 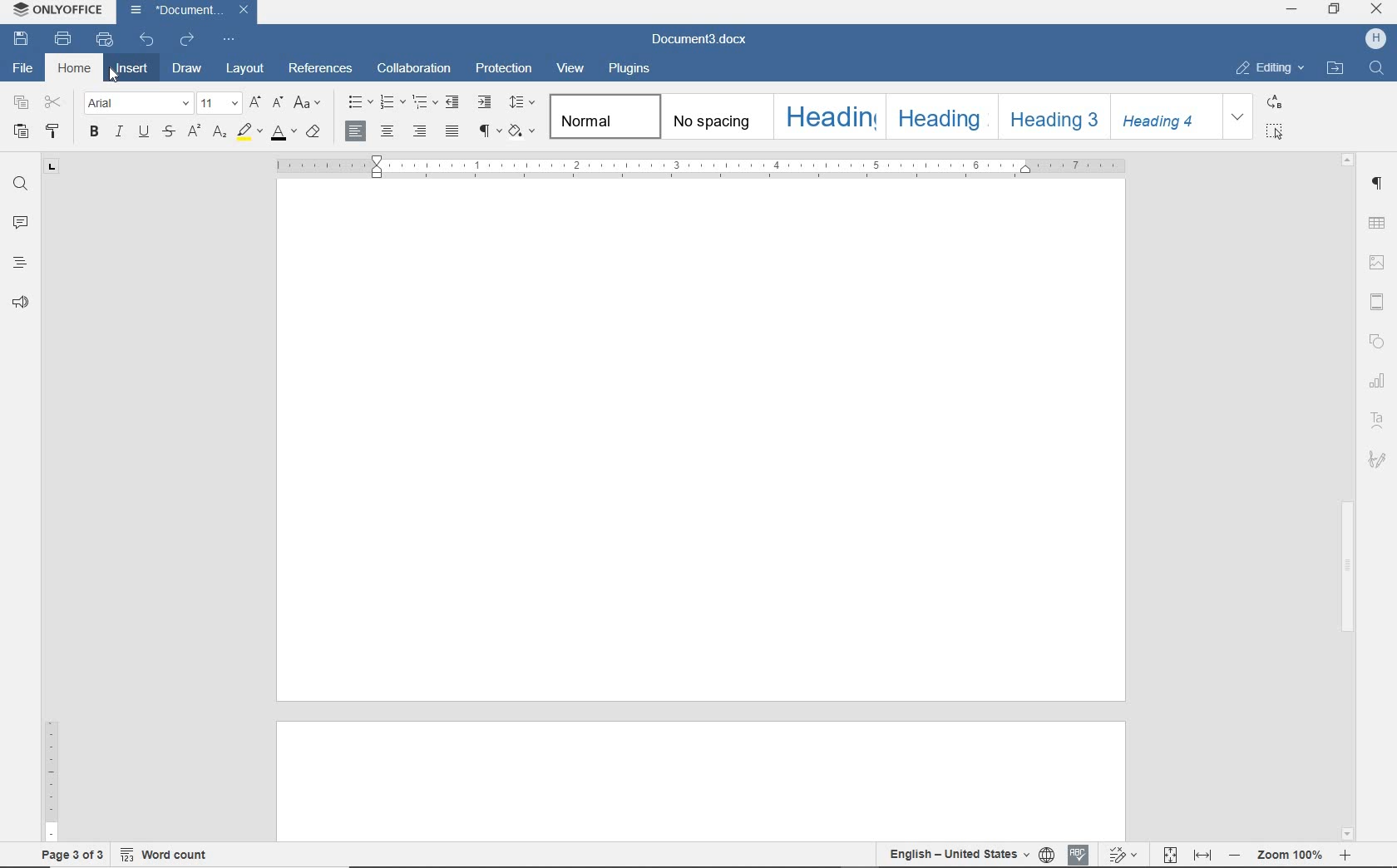 What do you see at coordinates (1233, 854) in the screenshot?
I see `Zoom out` at bounding box center [1233, 854].